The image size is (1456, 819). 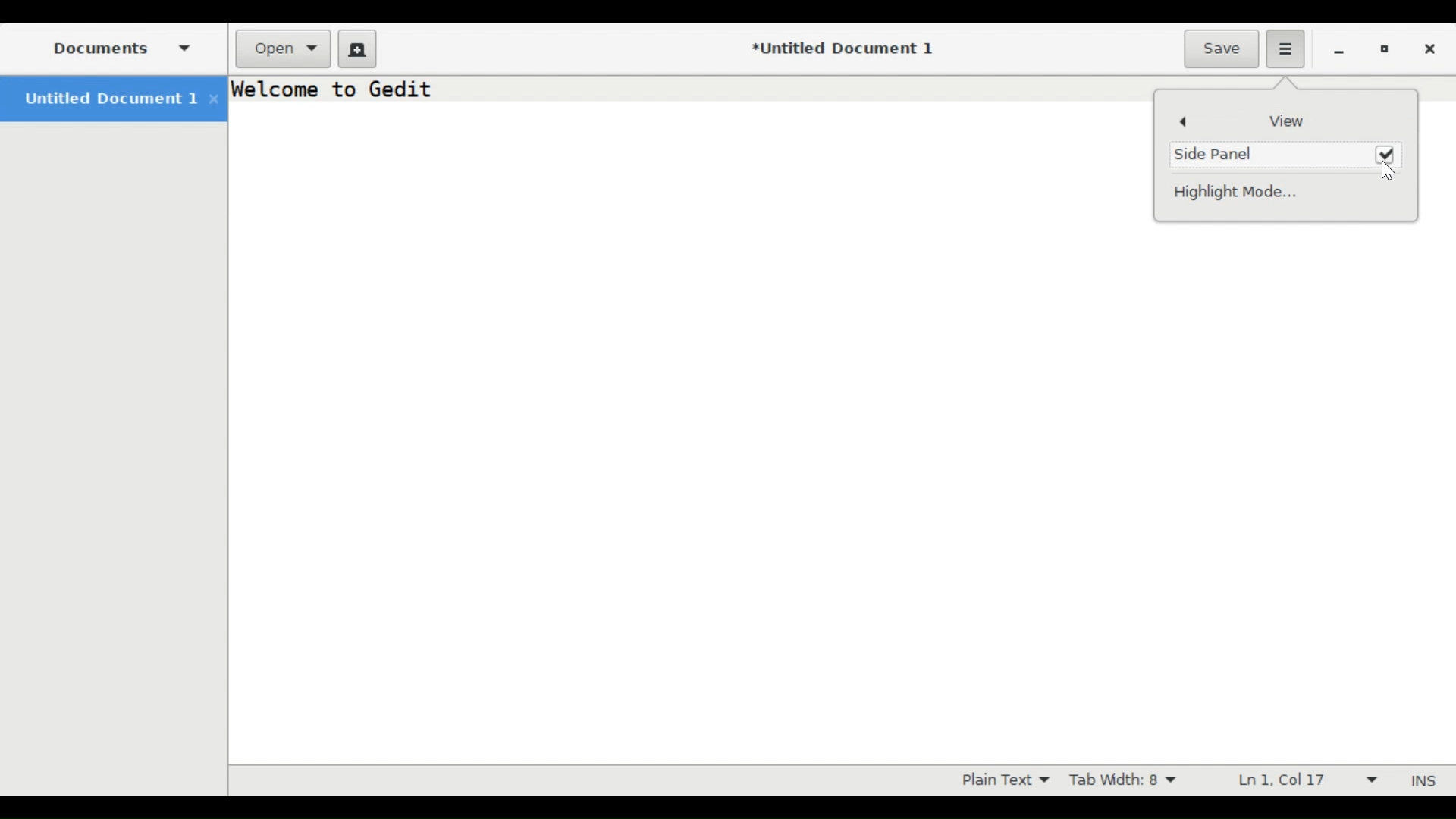 What do you see at coordinates (1003, 780) in the screenshot?
I see `Highlight mode option` at bounding box center [1003, 780].